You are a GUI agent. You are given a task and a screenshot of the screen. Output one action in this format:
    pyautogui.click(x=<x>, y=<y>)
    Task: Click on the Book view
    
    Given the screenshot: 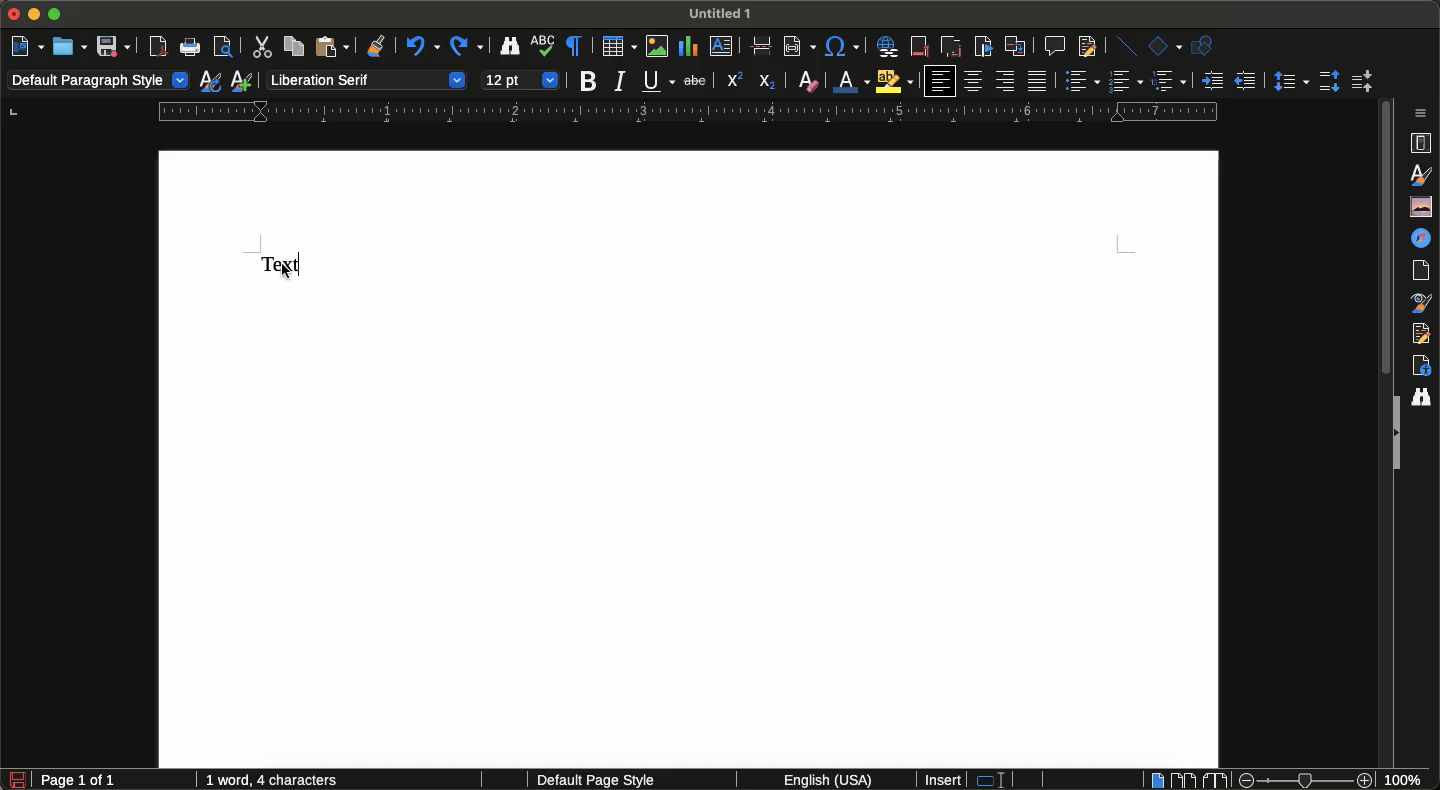 What is the action you would take?
    pyautogui.click(x=1213, y=780)
    